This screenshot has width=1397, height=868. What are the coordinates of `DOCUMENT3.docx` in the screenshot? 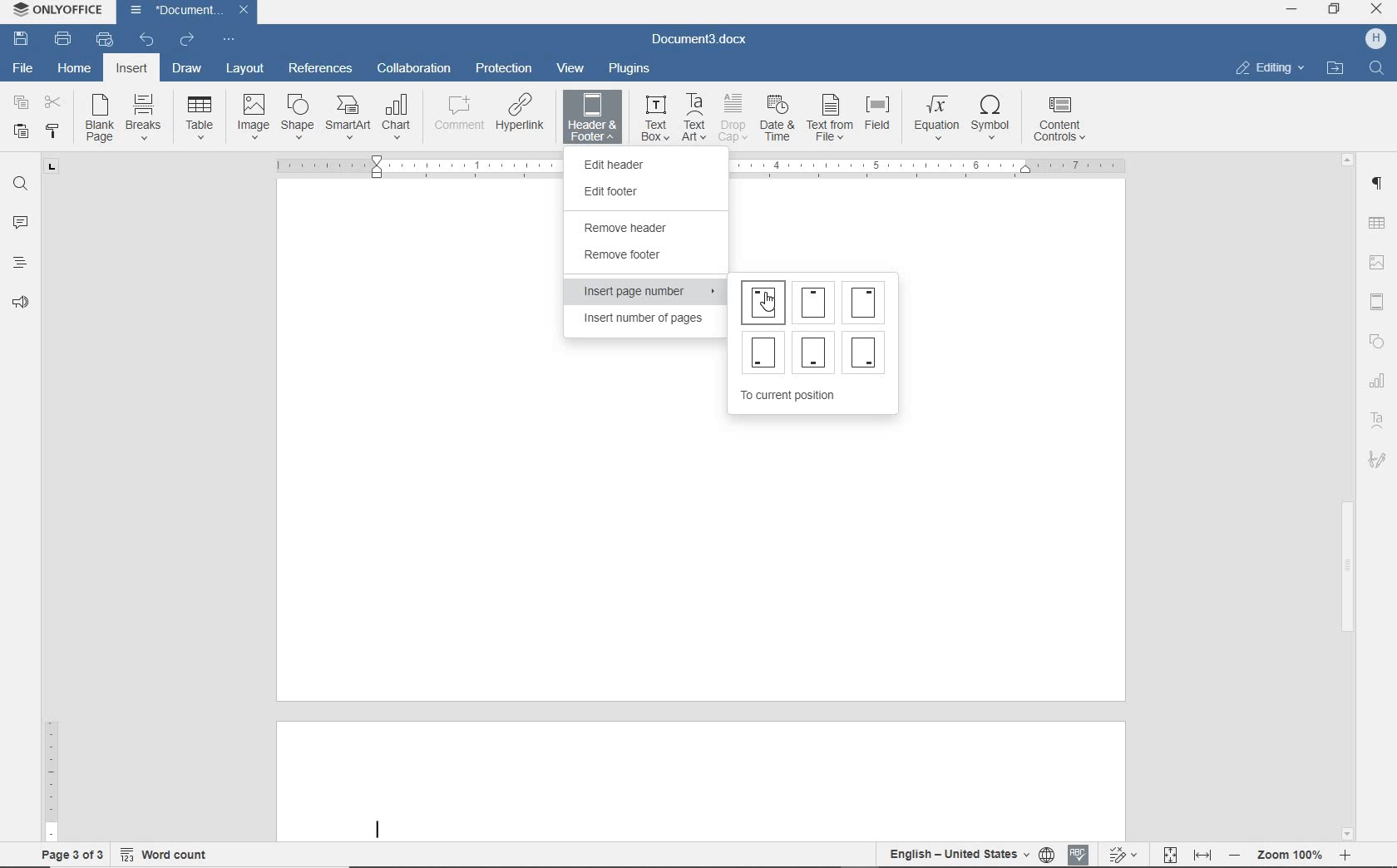 It's located at (701, 40).